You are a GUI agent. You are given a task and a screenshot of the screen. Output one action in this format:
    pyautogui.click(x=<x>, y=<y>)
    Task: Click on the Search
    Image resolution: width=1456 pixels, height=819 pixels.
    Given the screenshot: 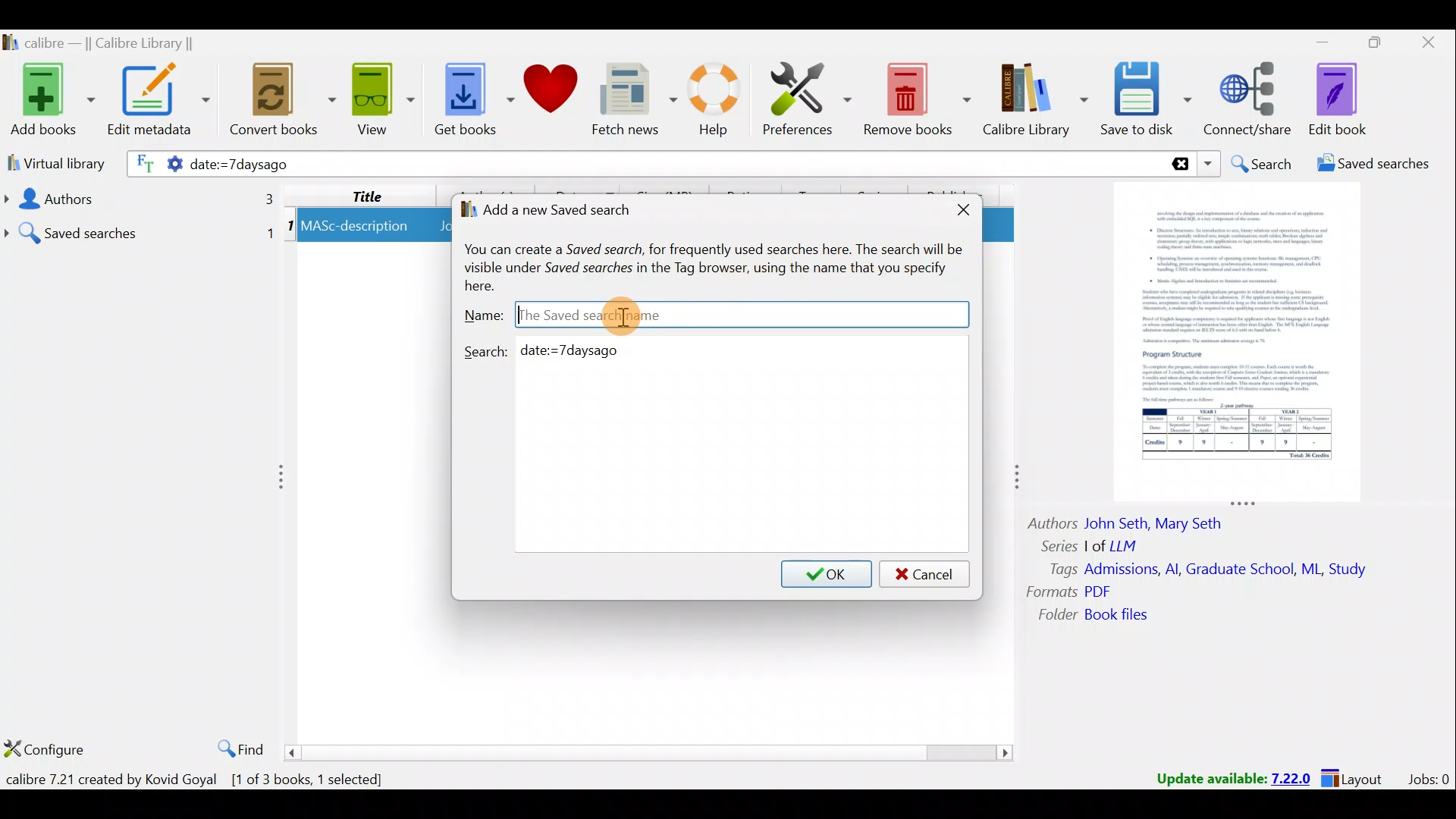 What is the action you would take?
    pyautogui.click(x=1260, y=162)
    